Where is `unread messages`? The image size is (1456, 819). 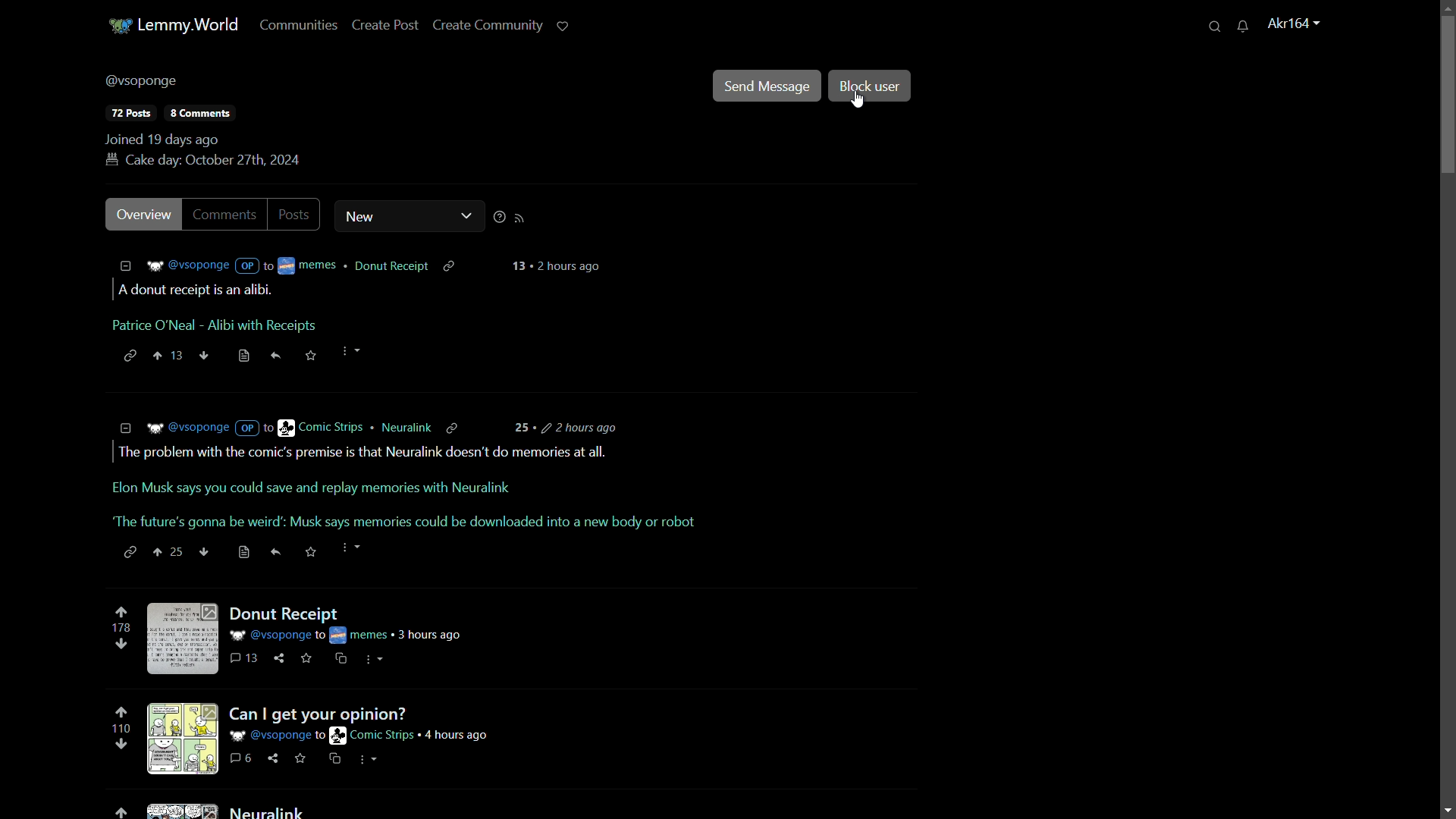 unread messages is located at coordinates (1243, 27).